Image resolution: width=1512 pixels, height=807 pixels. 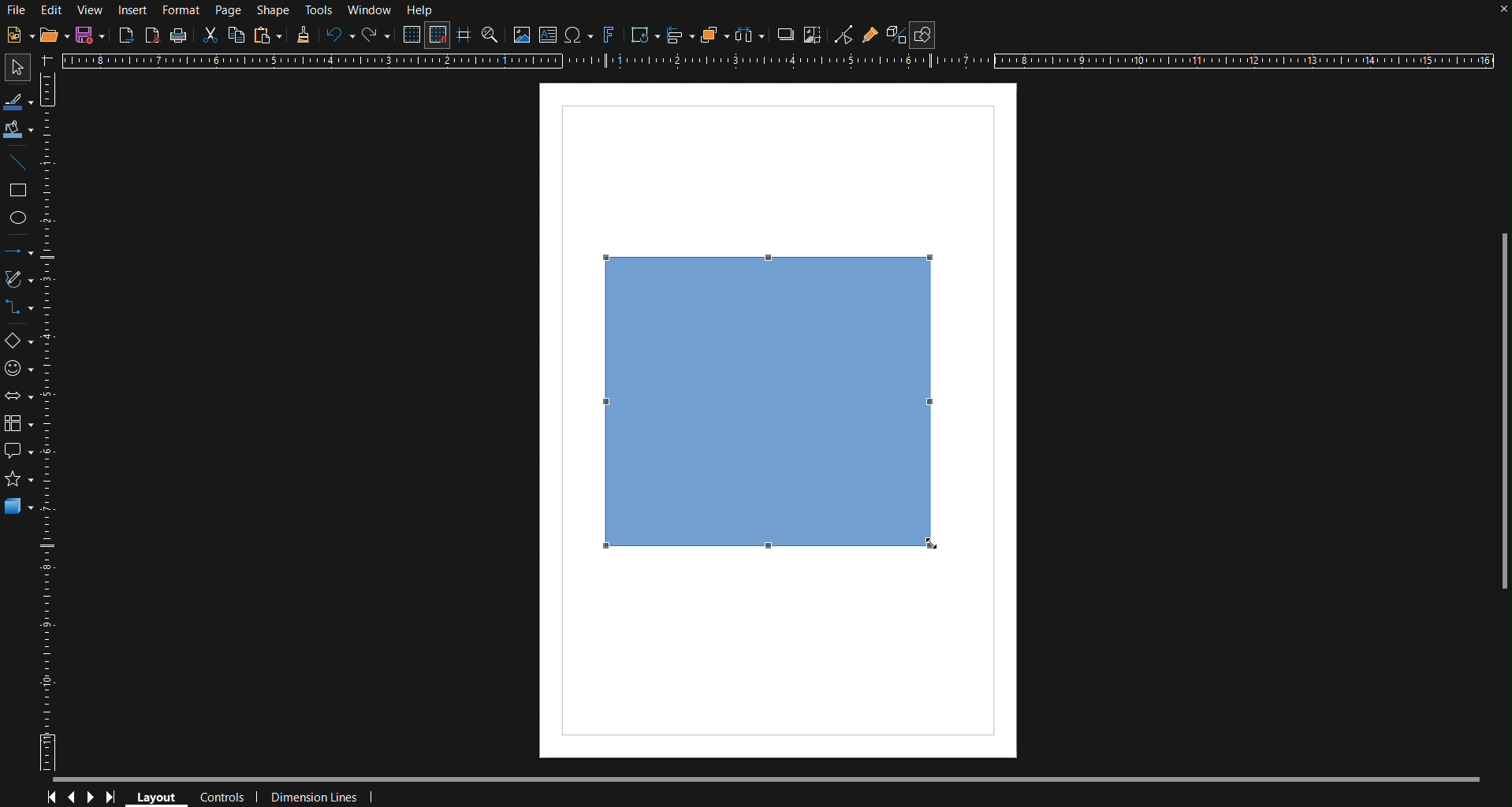 I want to click on Connectors, so click(x=19, y=307).